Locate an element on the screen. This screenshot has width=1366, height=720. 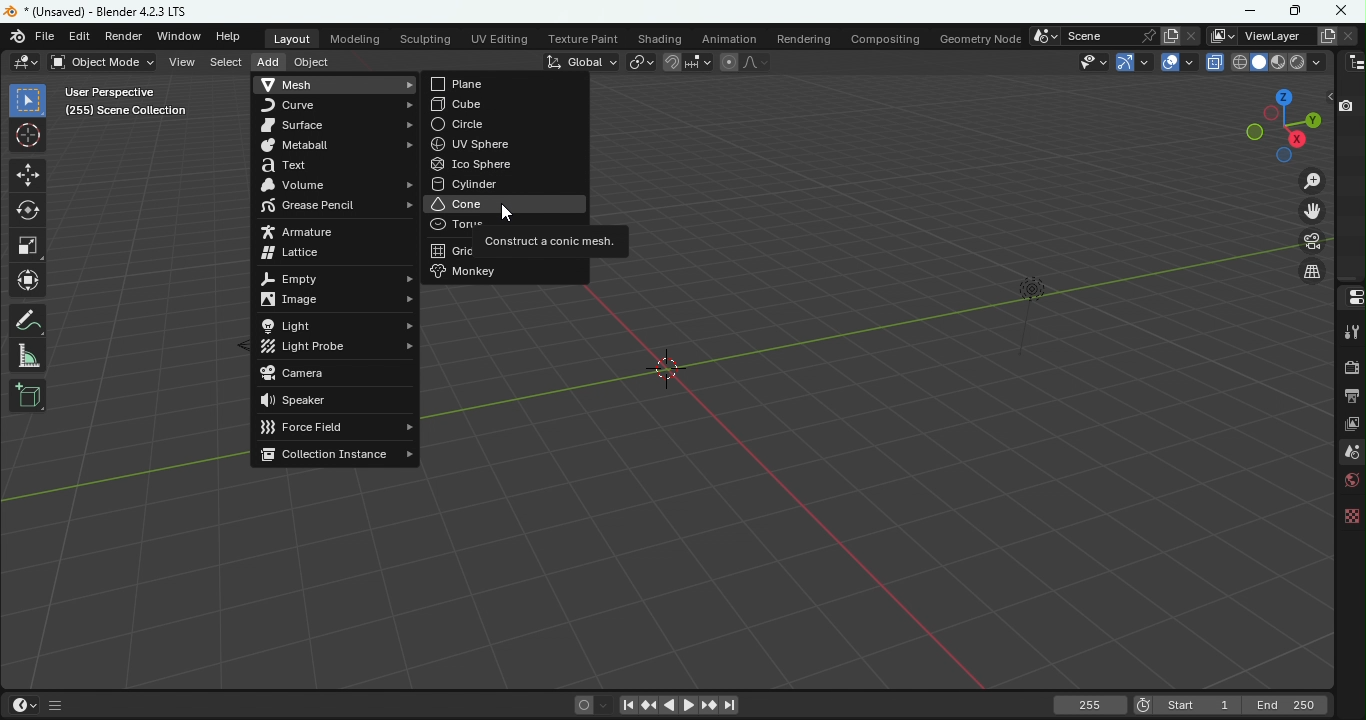
Last frame of playback/rendering range is located at coordinates (1287, 705).